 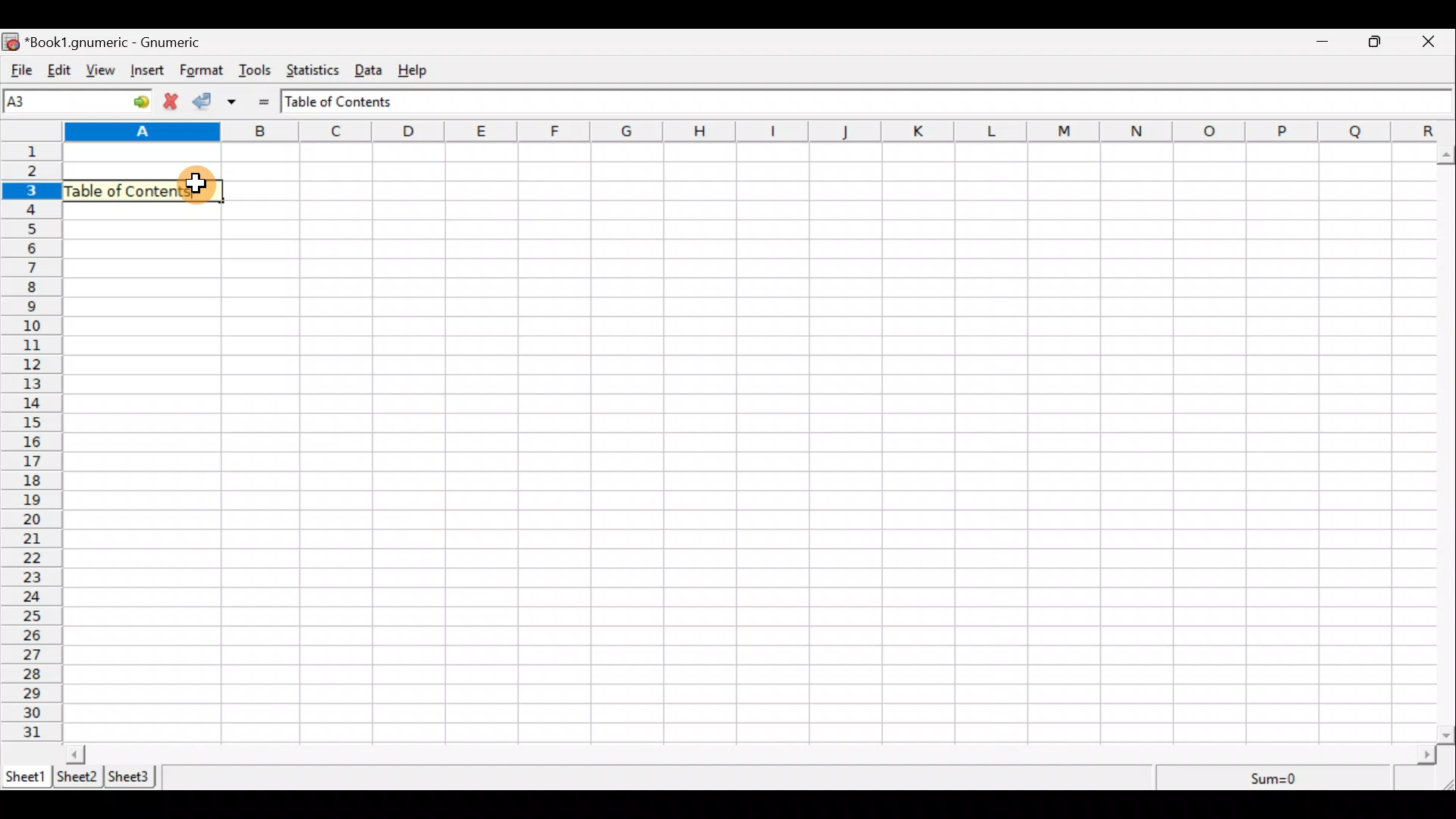 What do you see at coordinates (256, 71) in the screenshot?
I see `Tools` at bounding box center [256, 71].